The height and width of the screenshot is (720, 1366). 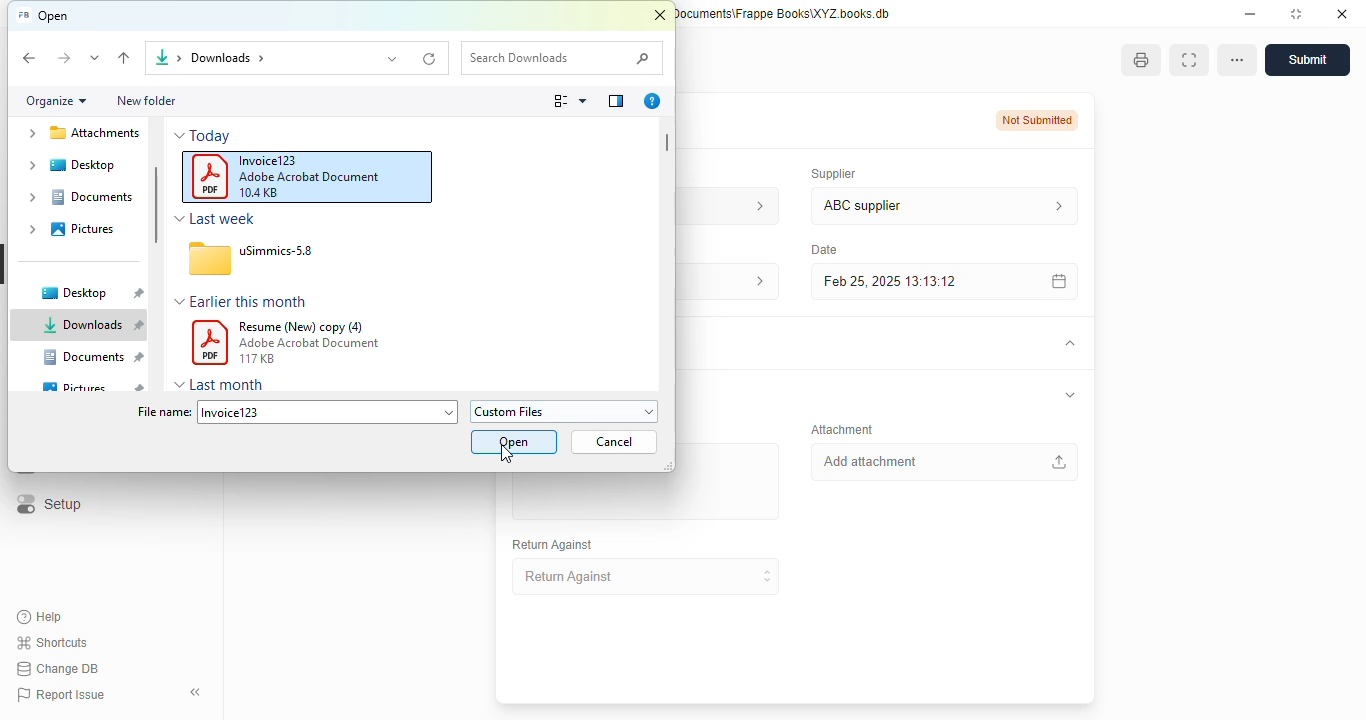 What do you see at coordinates (754, 205) in the screenshot?
I see `number series information` at bounding box center [754, 205].